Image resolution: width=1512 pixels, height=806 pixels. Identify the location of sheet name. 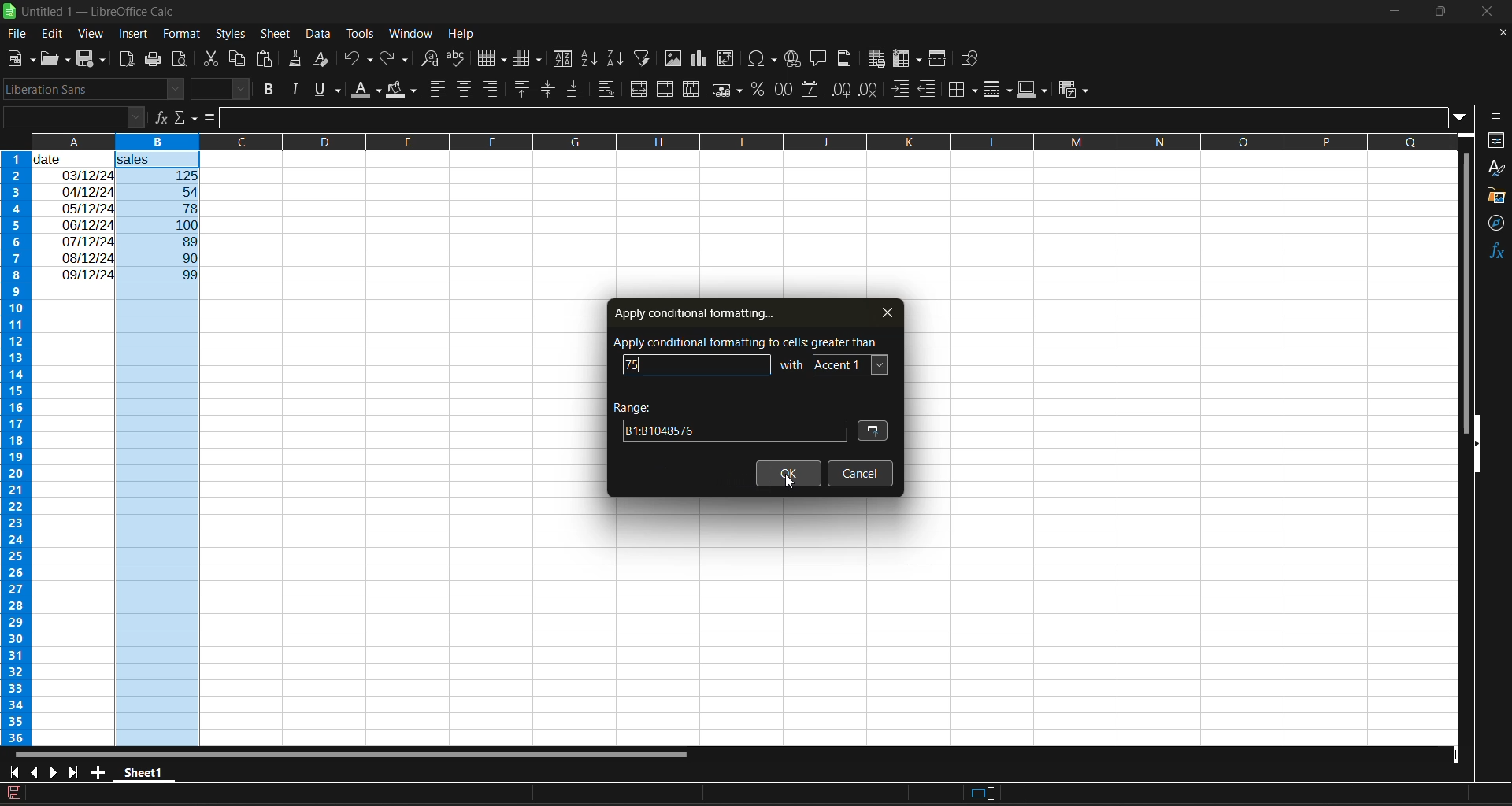
(142, 773).